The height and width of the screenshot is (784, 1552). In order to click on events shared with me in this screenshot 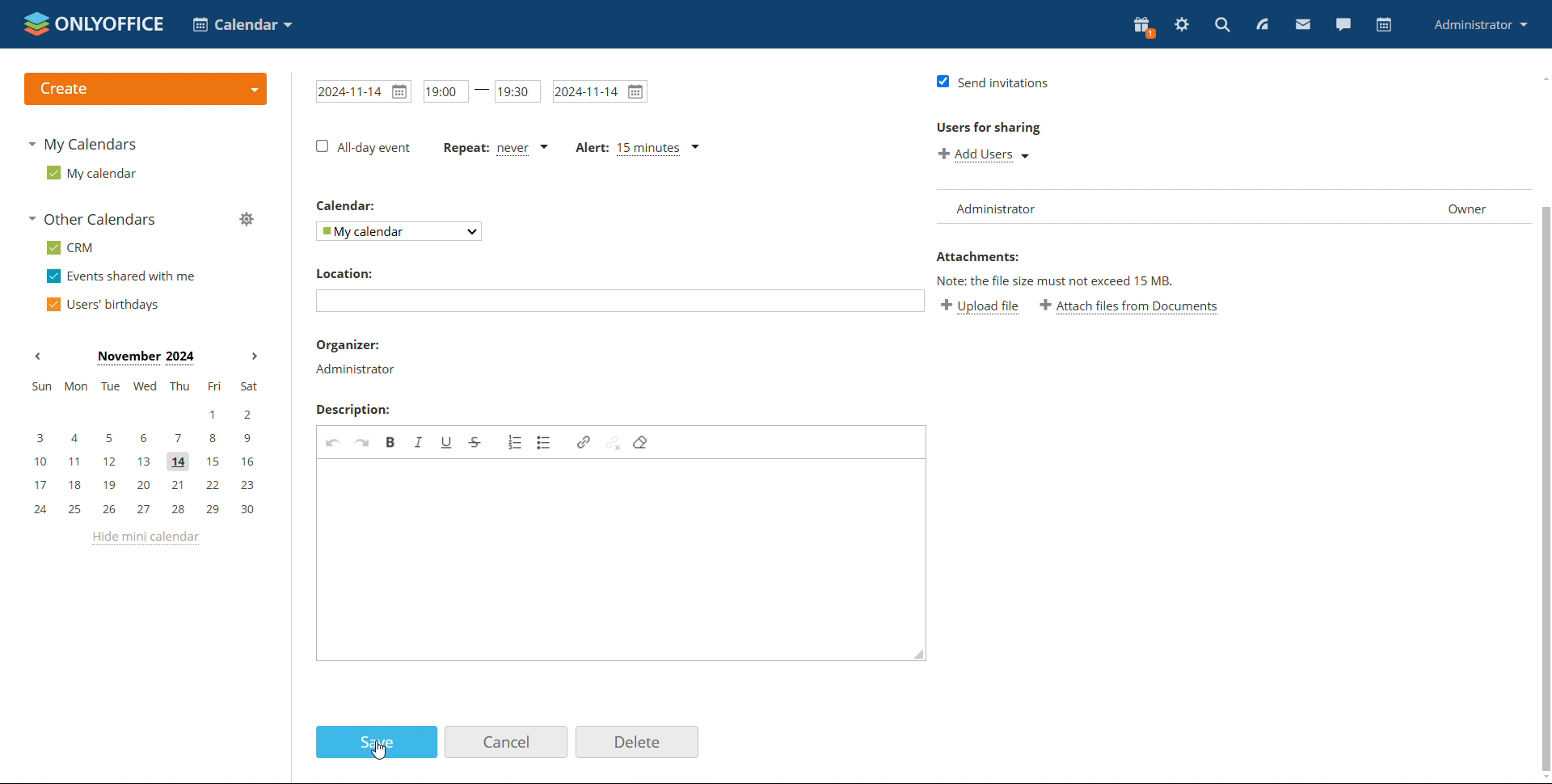, I will do `click(120, 276)`.